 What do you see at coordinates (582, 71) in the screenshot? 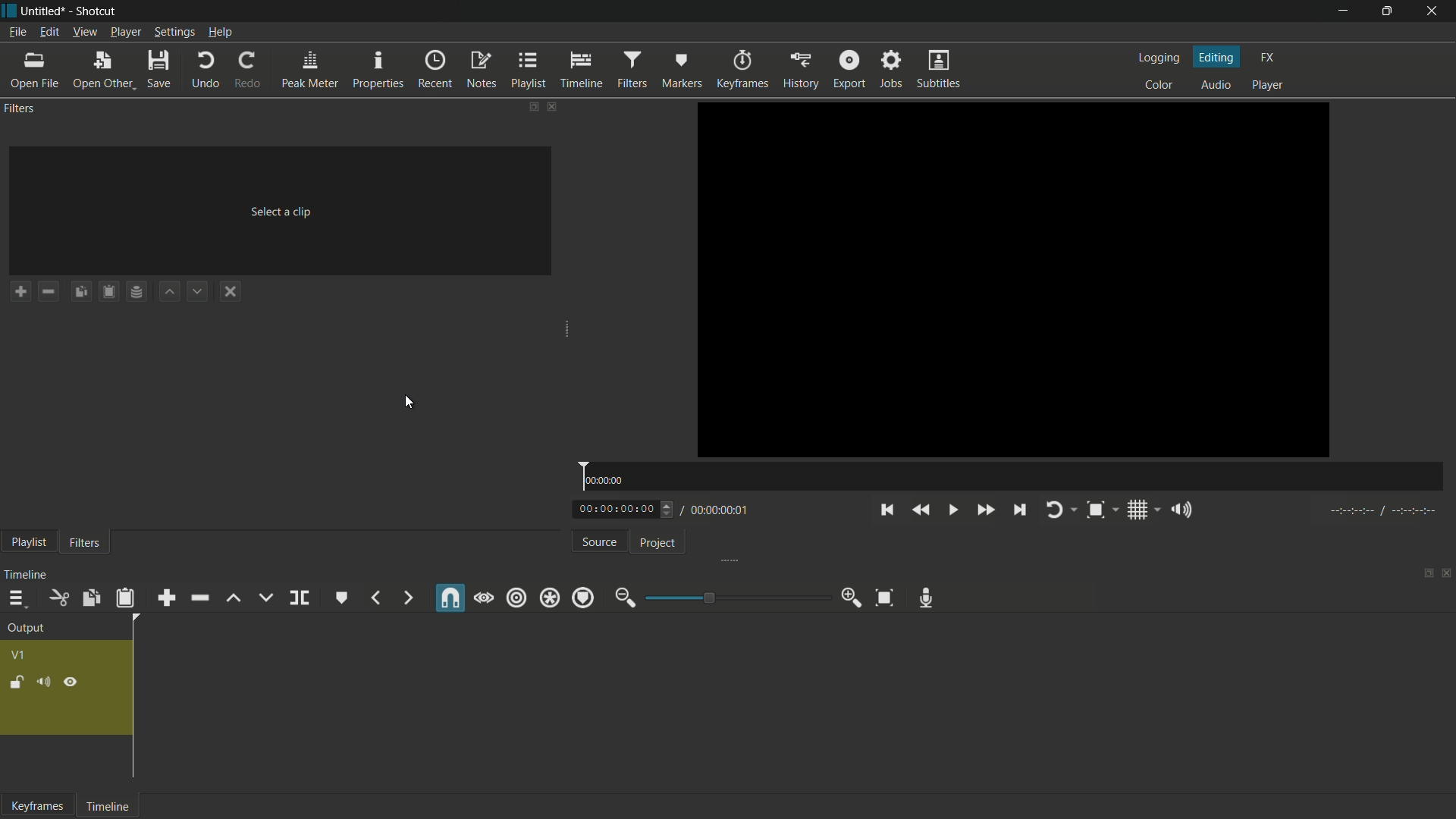
I see `timeline` at bounding box center [582, 71].